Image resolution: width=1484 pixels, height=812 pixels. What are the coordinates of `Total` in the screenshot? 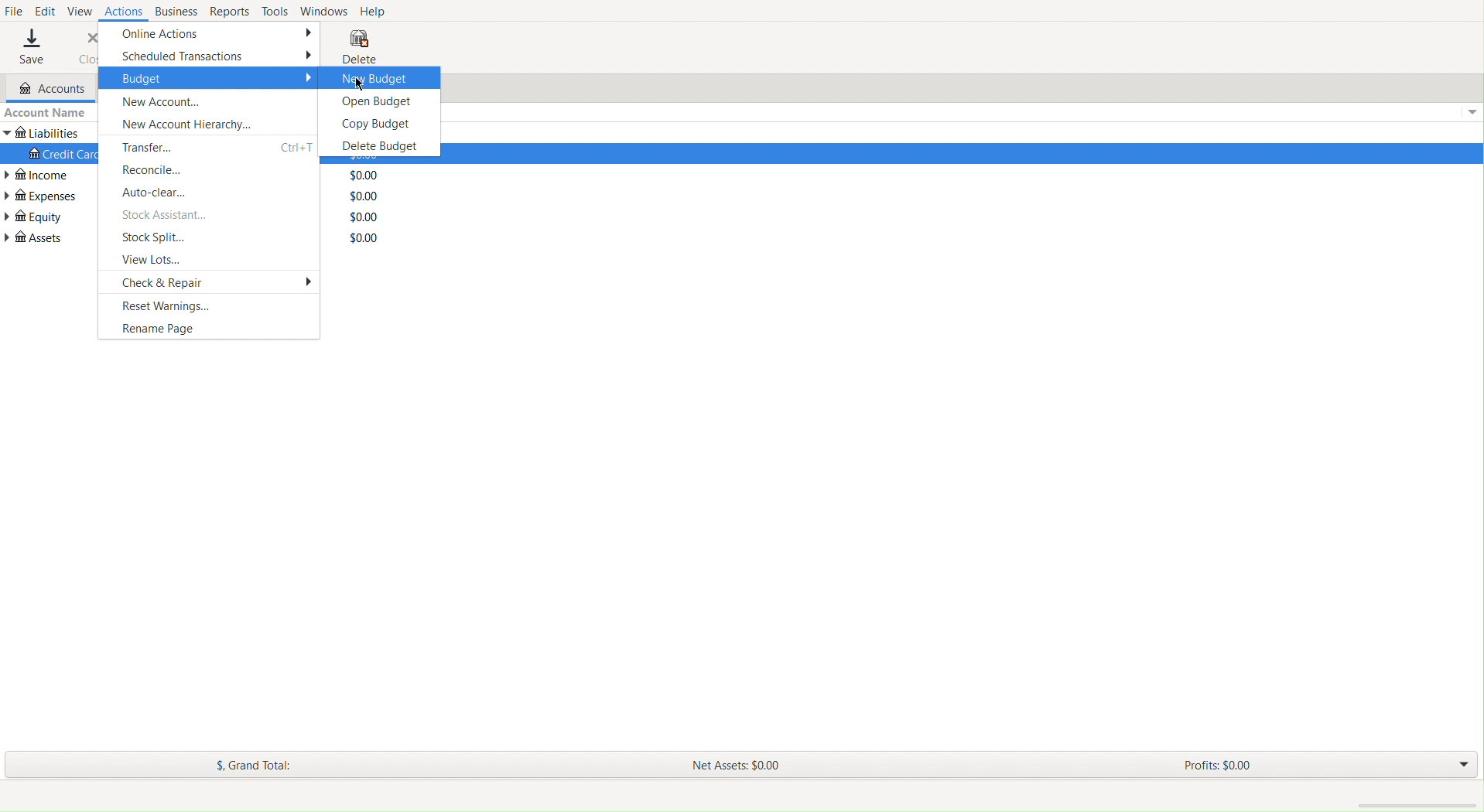 It's located at (365, 175).